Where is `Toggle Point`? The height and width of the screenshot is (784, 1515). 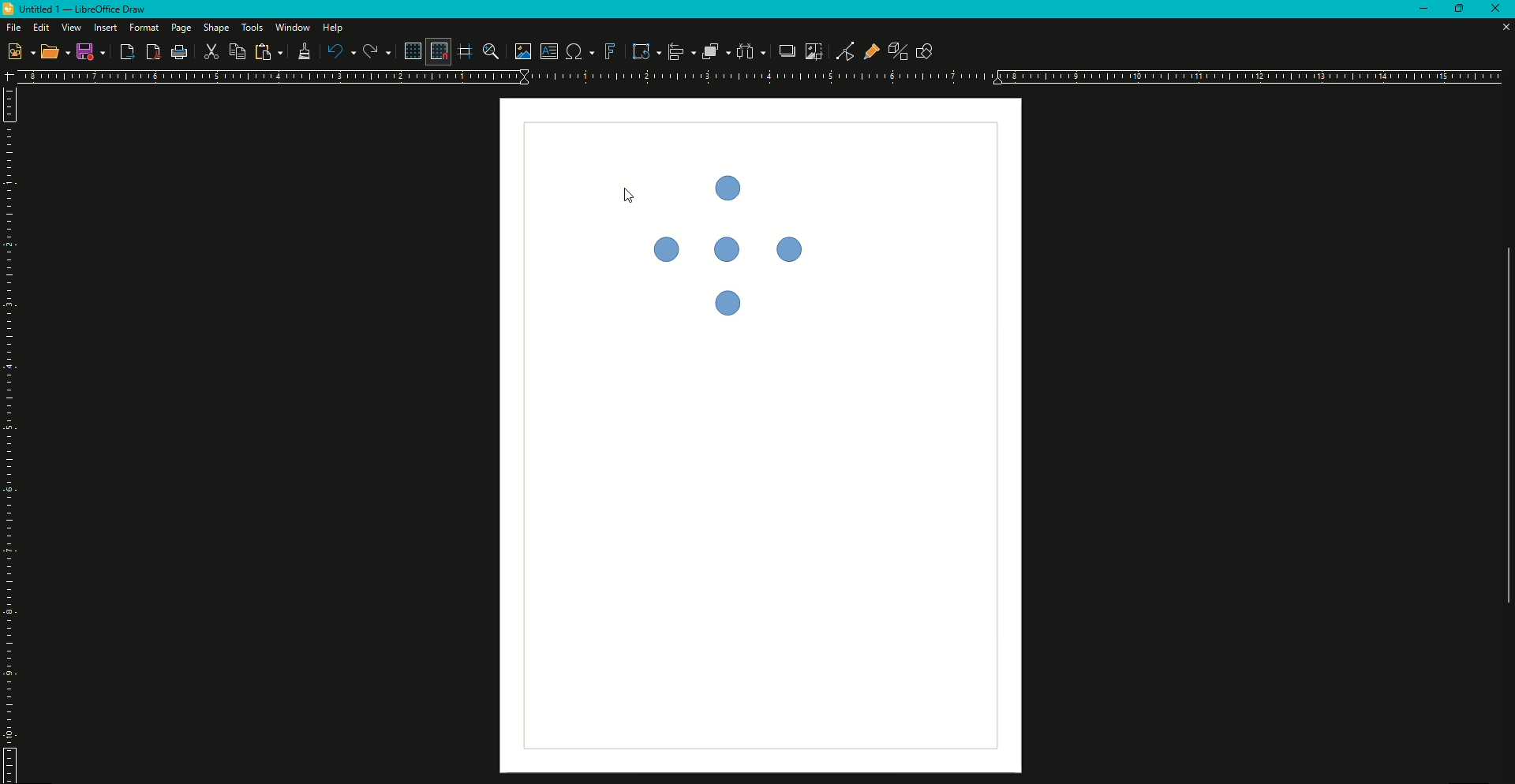 Toggle Point is located at coordinates (844, 51).